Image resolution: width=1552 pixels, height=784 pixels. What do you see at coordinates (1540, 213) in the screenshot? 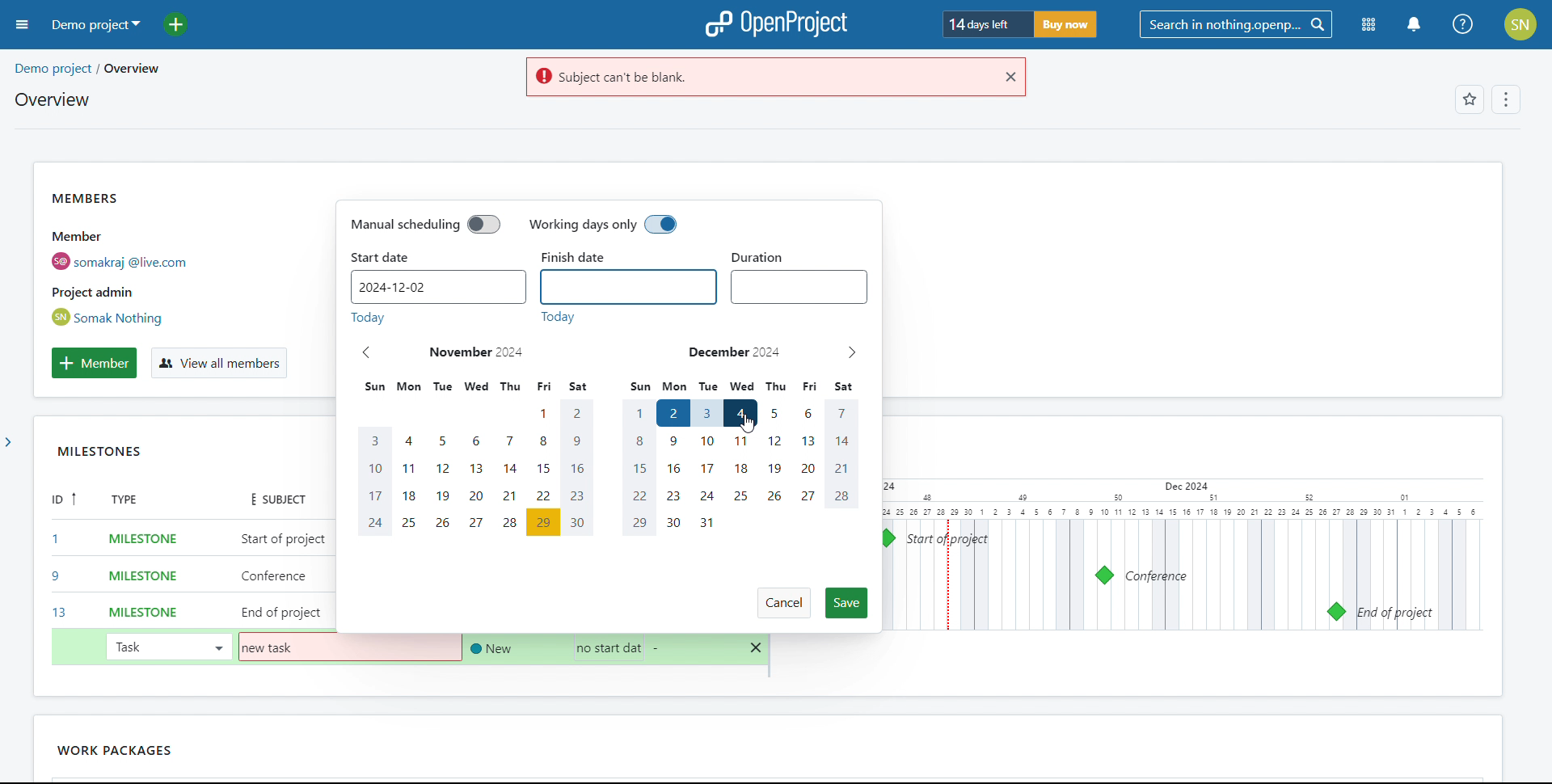
I see `scroll bar` at bounding box center [1540, 213].